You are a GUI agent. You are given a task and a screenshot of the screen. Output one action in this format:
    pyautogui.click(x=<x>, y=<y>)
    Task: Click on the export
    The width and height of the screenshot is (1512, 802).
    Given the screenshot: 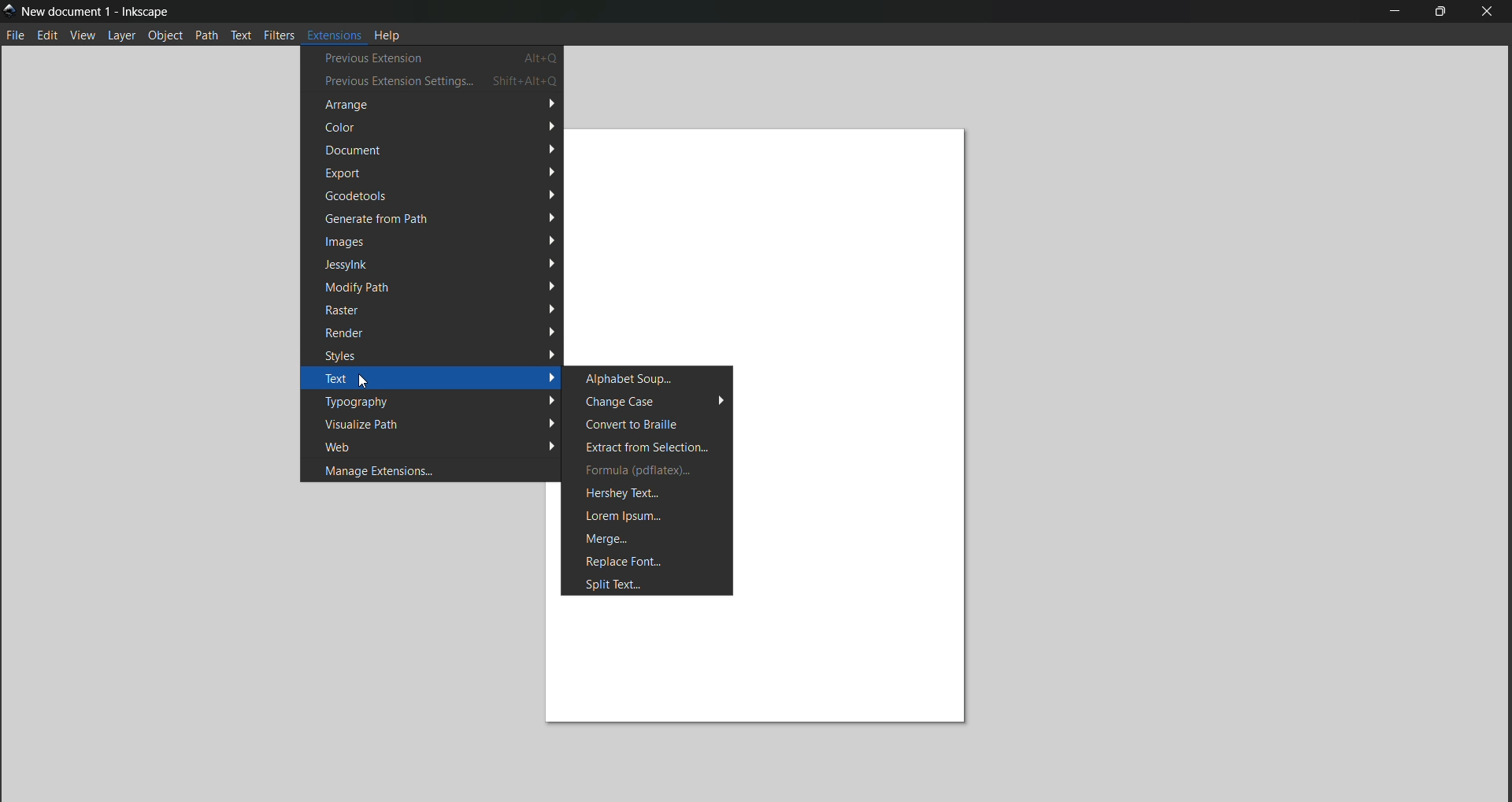 What is the action you would take?
    pyautogui.click(x=439, y=173)
    